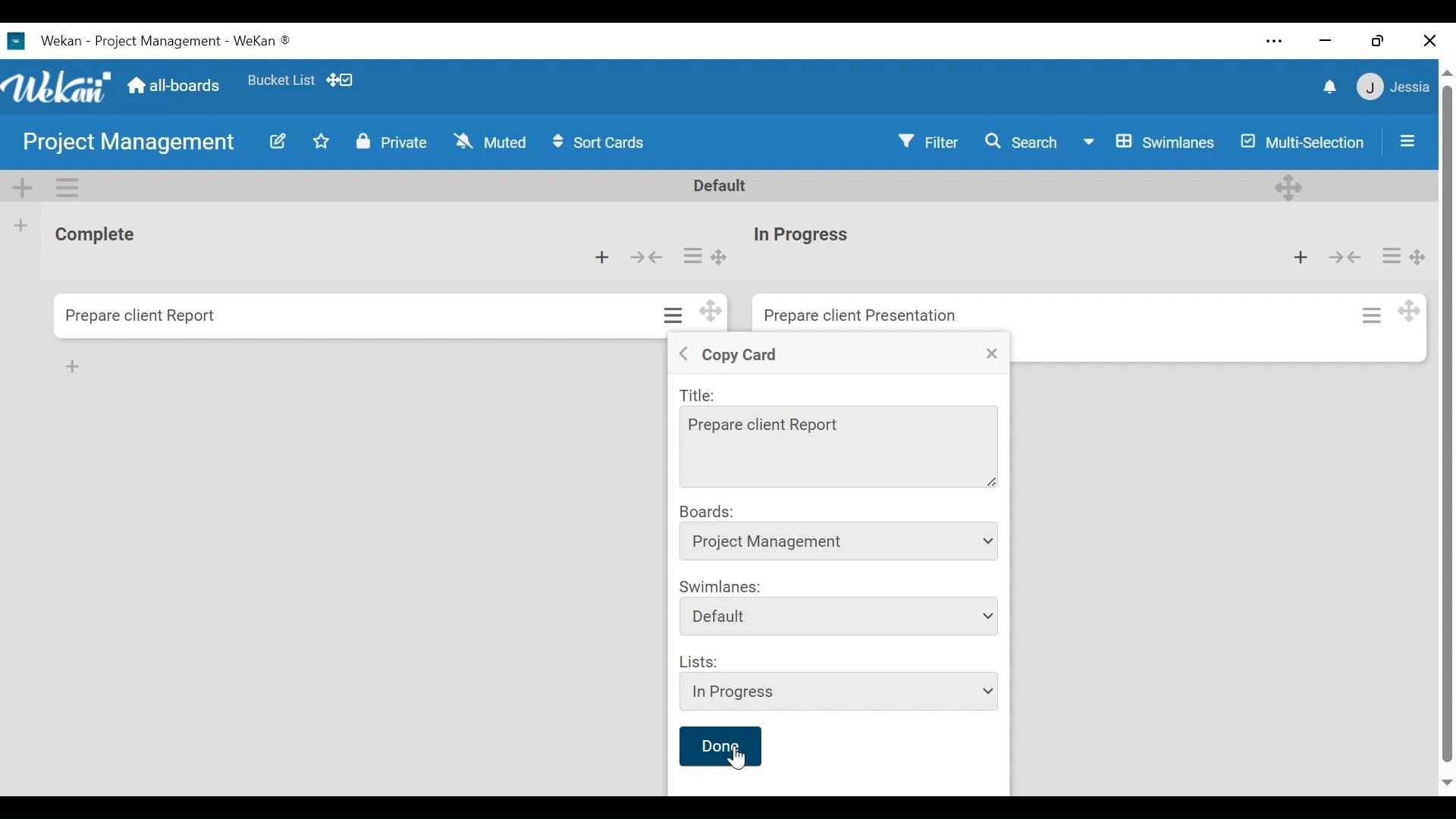  I want to click on List Title, so click(102, 236).